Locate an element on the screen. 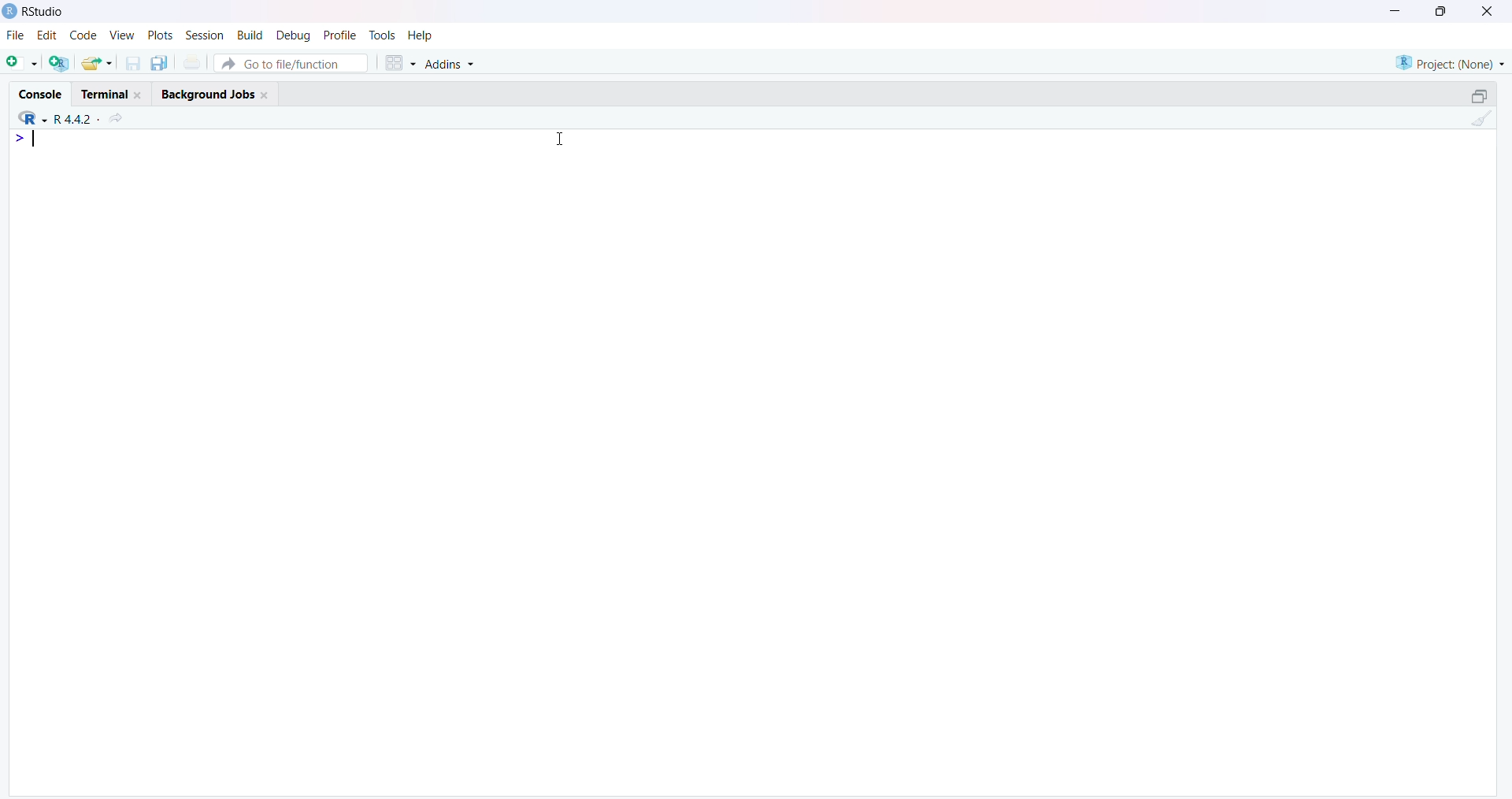 This screenshot has height=799, width=1512. R.4.2.2 is located at coordinates (71, 117).